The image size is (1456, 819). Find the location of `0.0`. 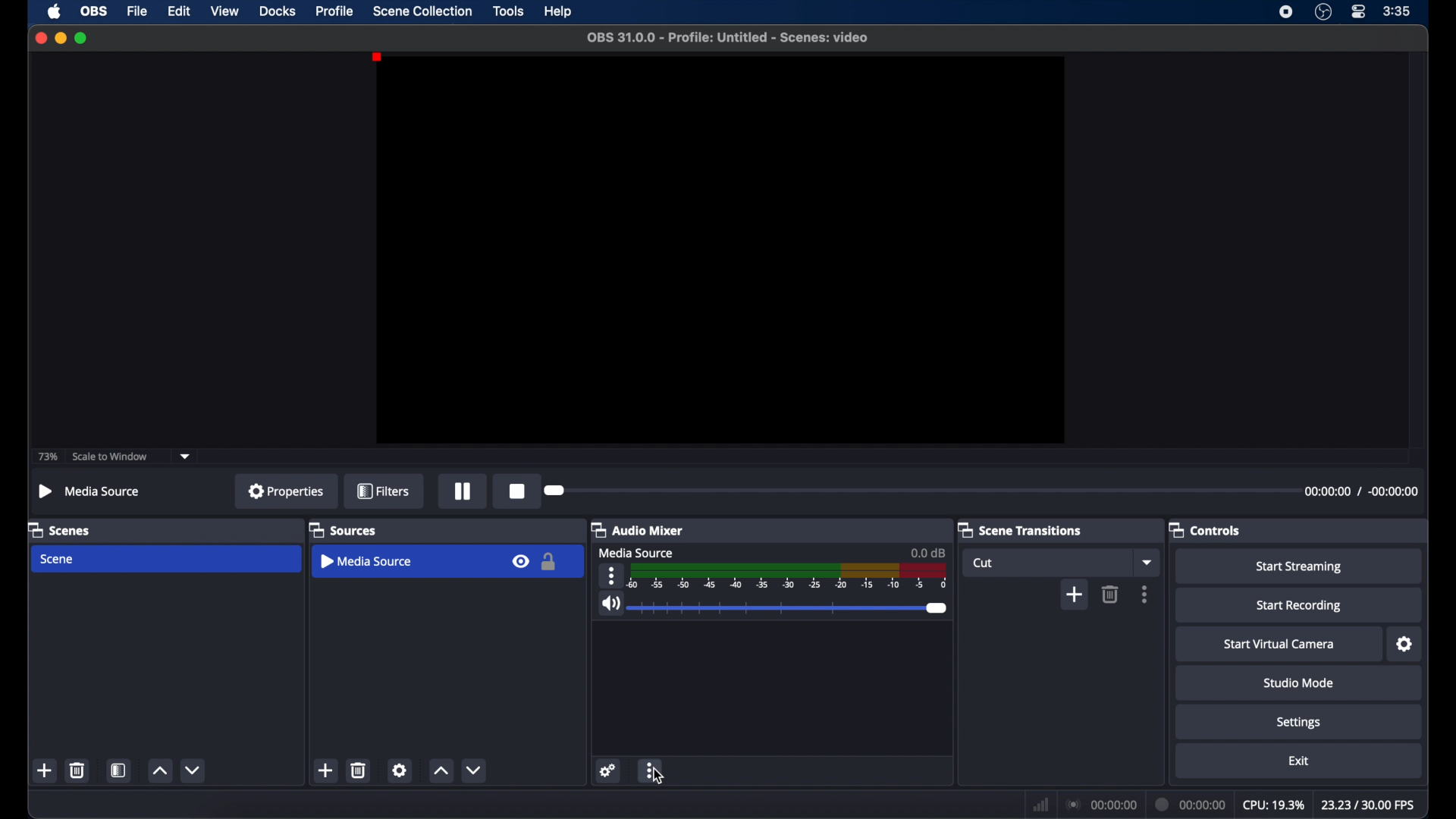

0.0 is located at coordinates (927, 551).